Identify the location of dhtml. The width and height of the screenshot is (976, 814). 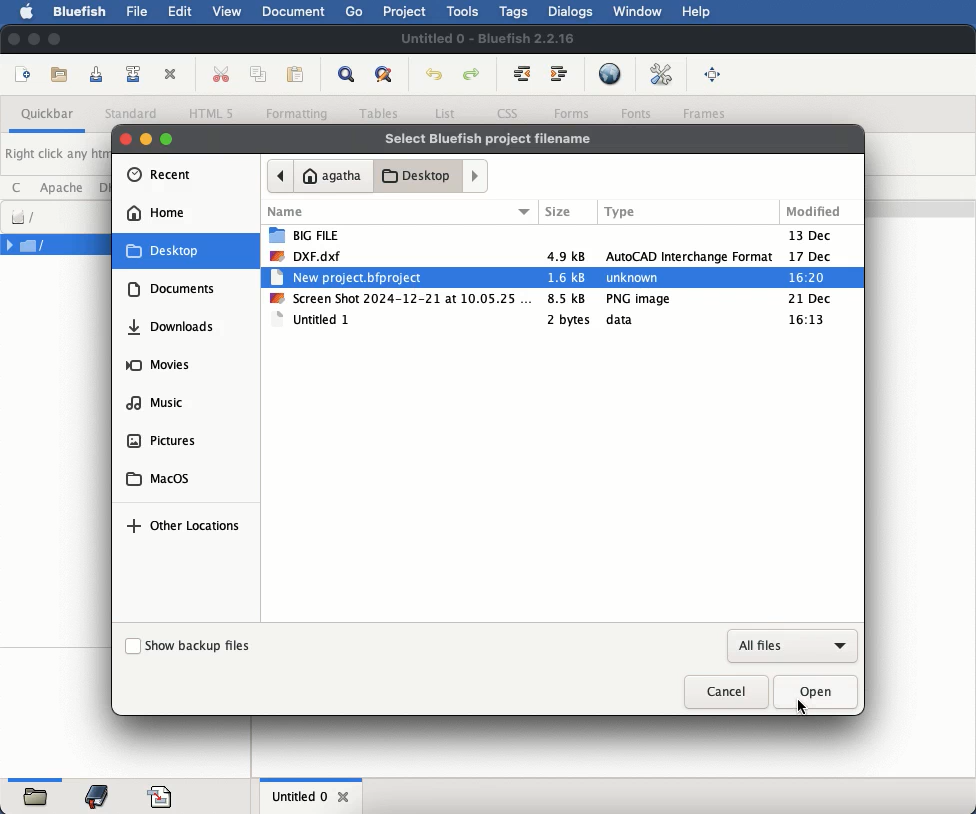
(109, 187).